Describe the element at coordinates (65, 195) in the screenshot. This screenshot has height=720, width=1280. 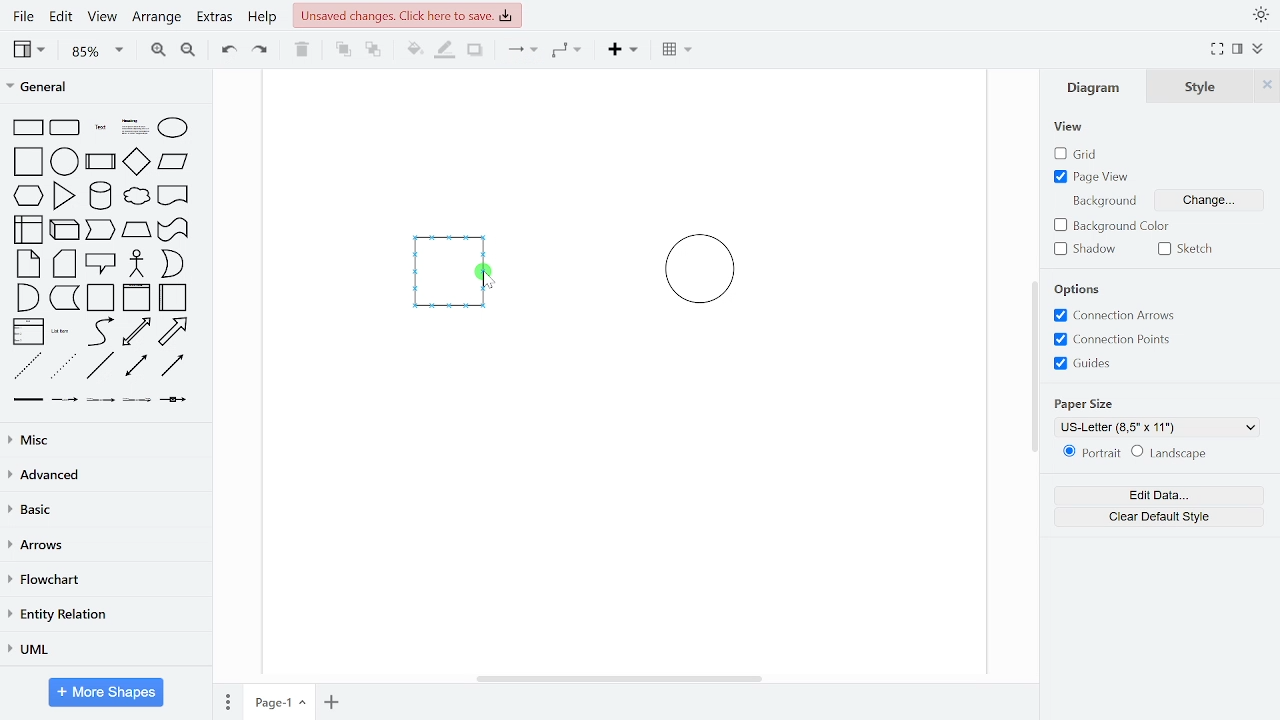
I see `triangle` at that location.